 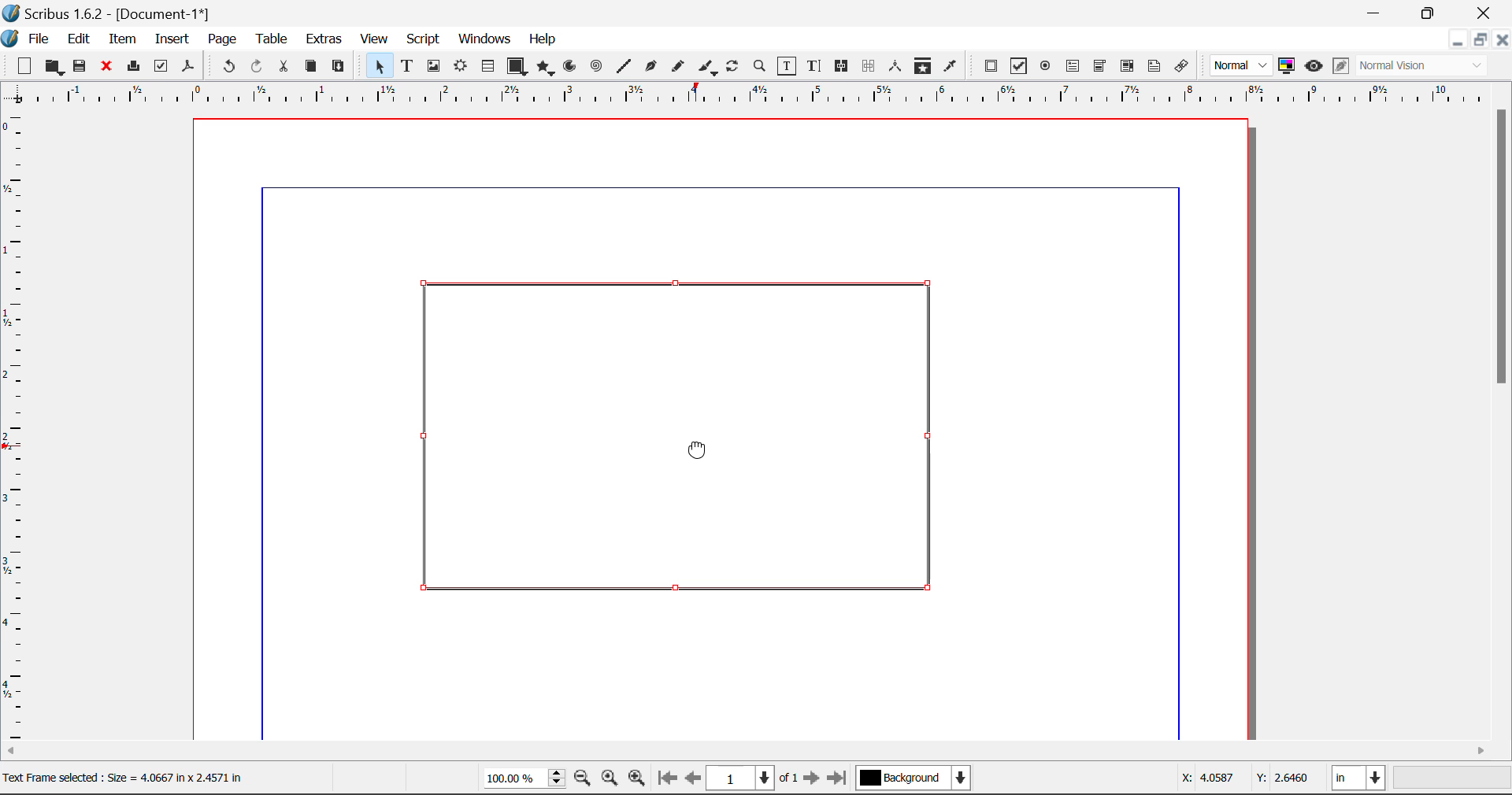 I want to click on Last Page, so click(x=839, y=780).